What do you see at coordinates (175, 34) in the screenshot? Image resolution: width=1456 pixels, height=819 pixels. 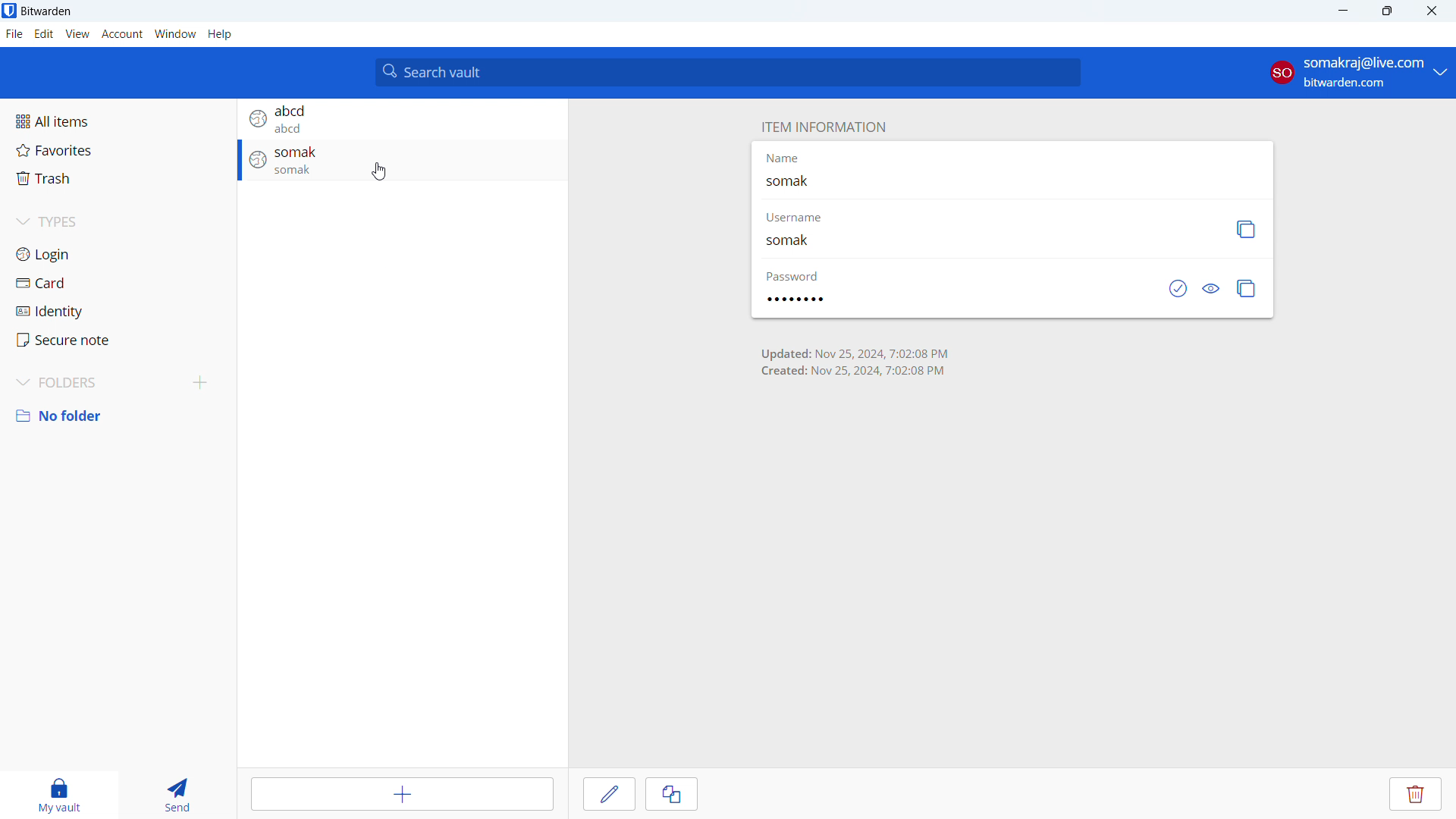 I see `window` at bounding box center [175, 34].